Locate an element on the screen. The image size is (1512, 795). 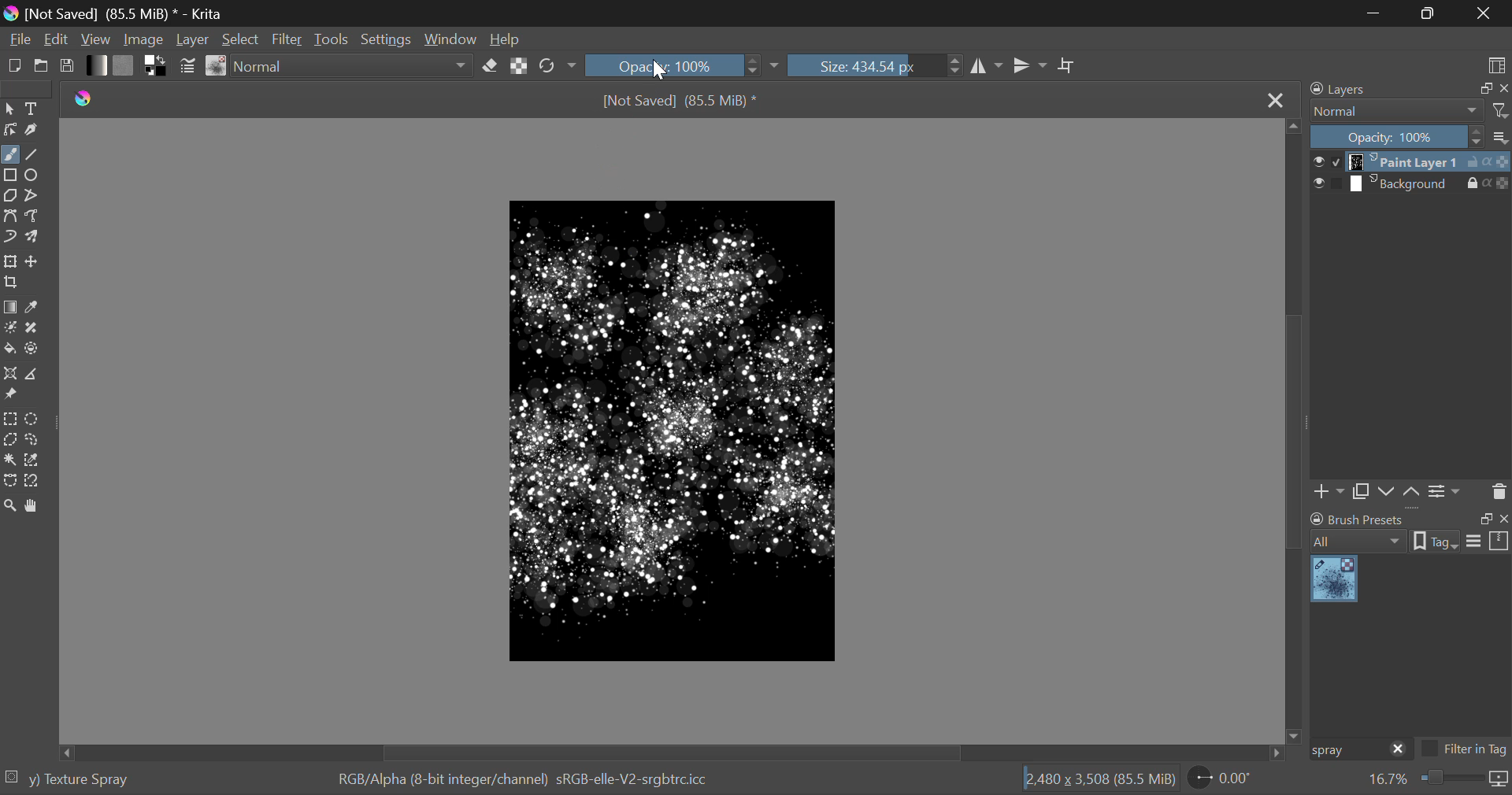
Save is located at coordinates (65, 65).